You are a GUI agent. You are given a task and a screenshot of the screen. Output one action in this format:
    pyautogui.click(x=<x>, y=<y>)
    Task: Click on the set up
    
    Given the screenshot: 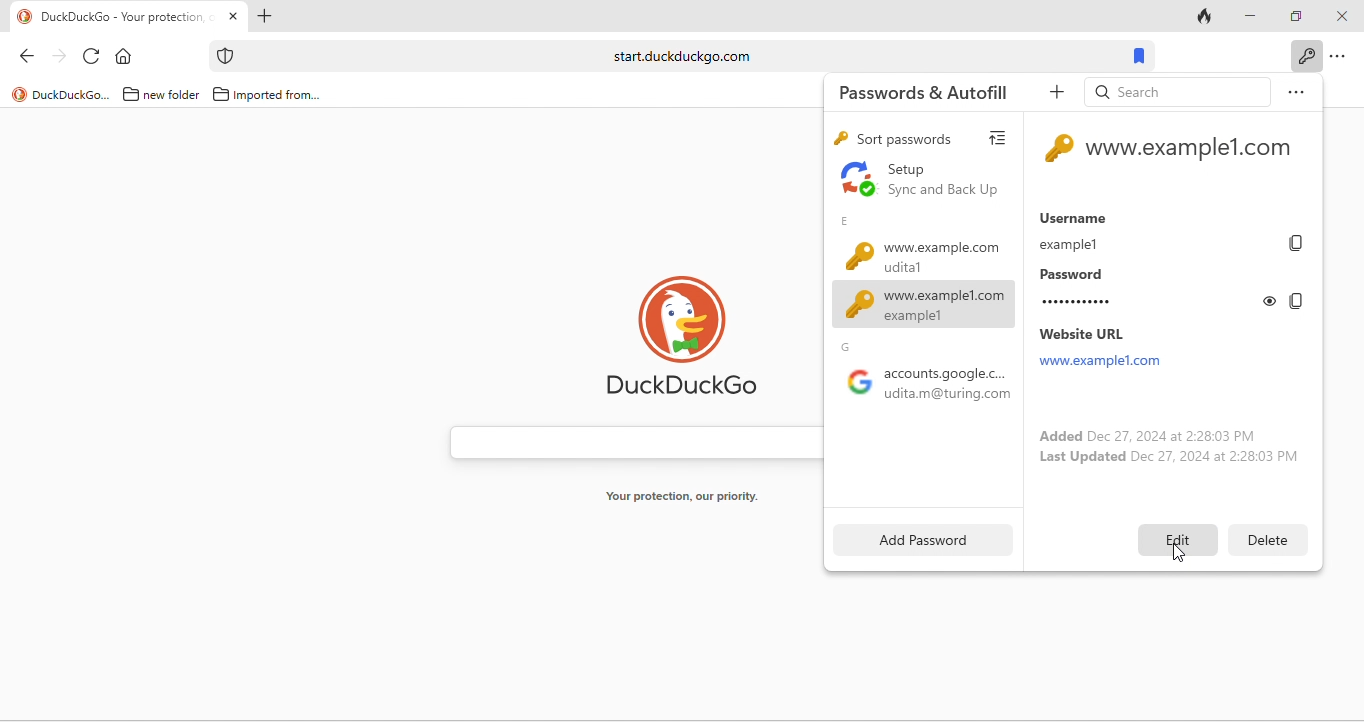 What is the action you would take?
    pyautogui.click(x=922, y=181)
    